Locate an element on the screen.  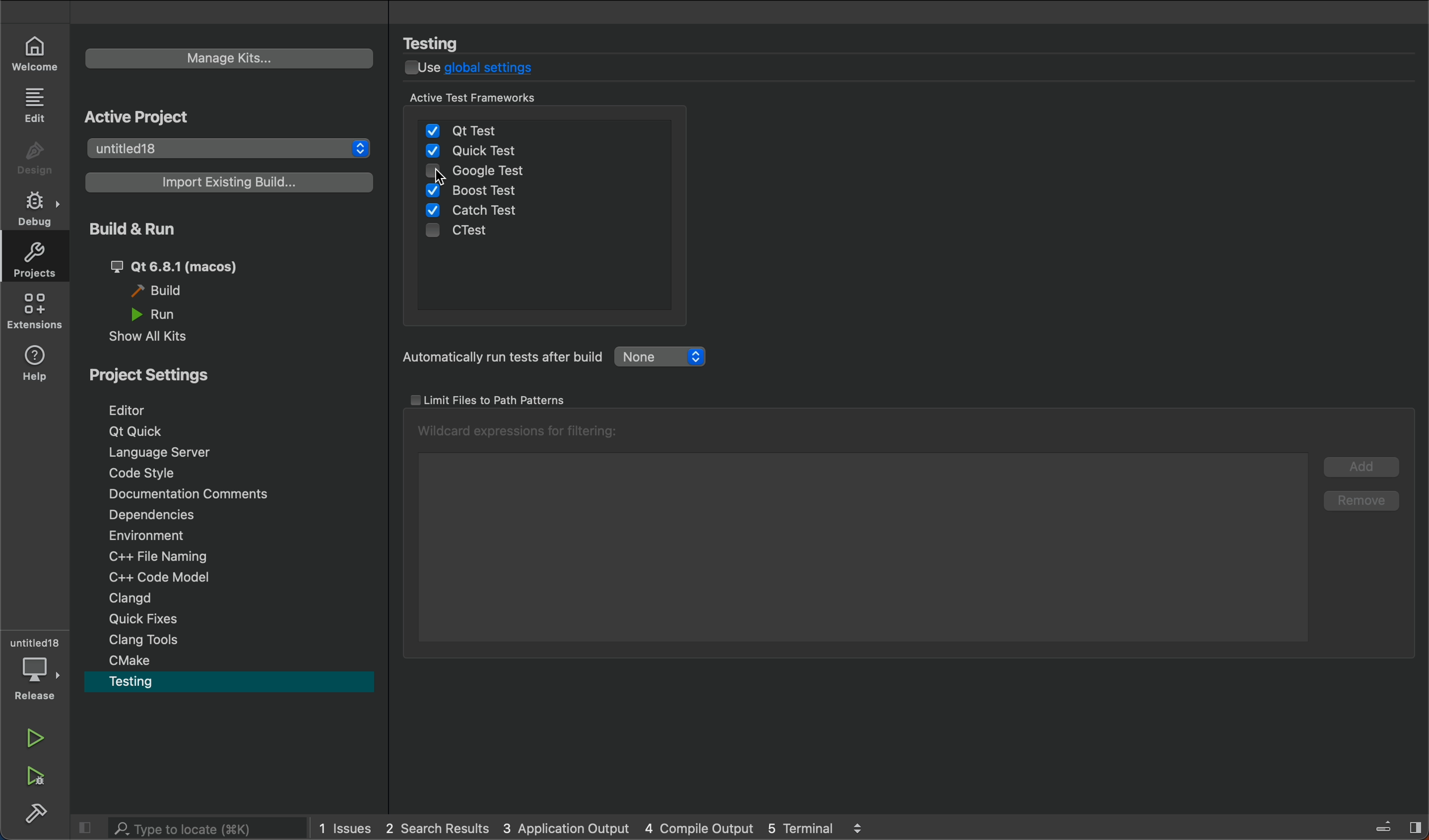
file naming is located at coordinates (235, 559).